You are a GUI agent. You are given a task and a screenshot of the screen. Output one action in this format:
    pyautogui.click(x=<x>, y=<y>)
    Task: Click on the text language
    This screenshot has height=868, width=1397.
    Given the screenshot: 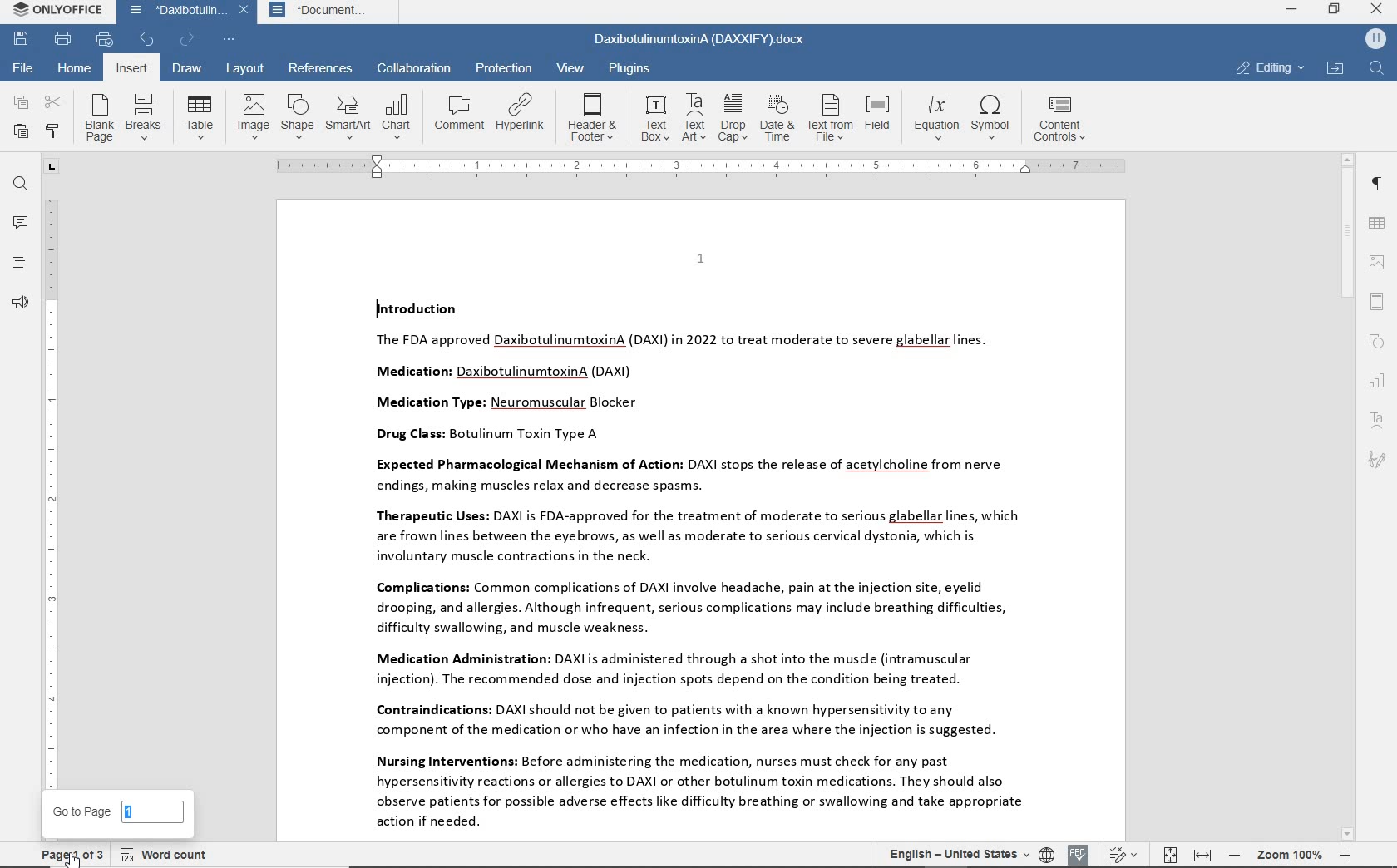 What is the action you would take?
    pyautogui.click(x=954, y=853)
    